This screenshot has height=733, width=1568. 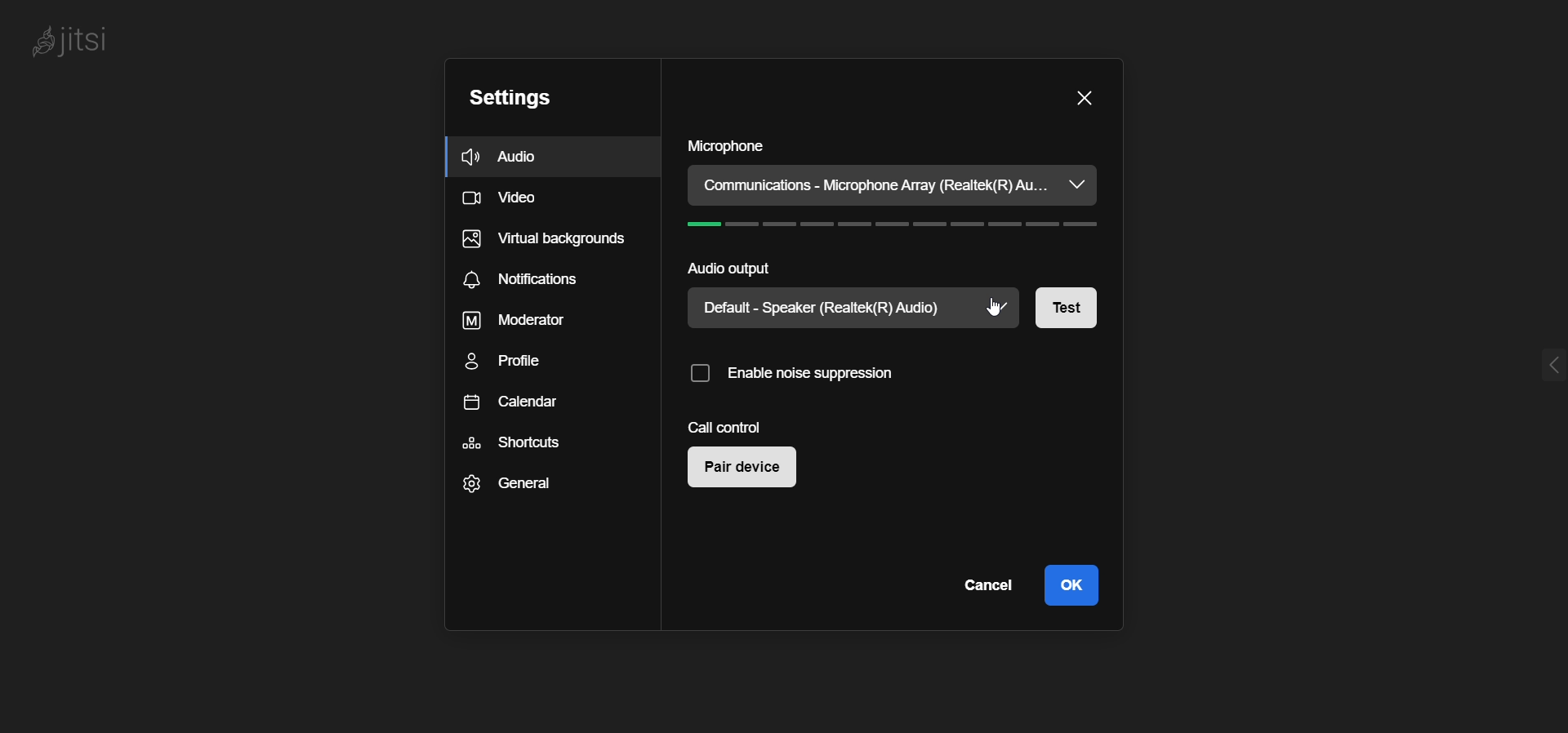 What do you see at coordinates (514, 362) in the screenshot?
I see `profile` at bounding box center [514, 362].